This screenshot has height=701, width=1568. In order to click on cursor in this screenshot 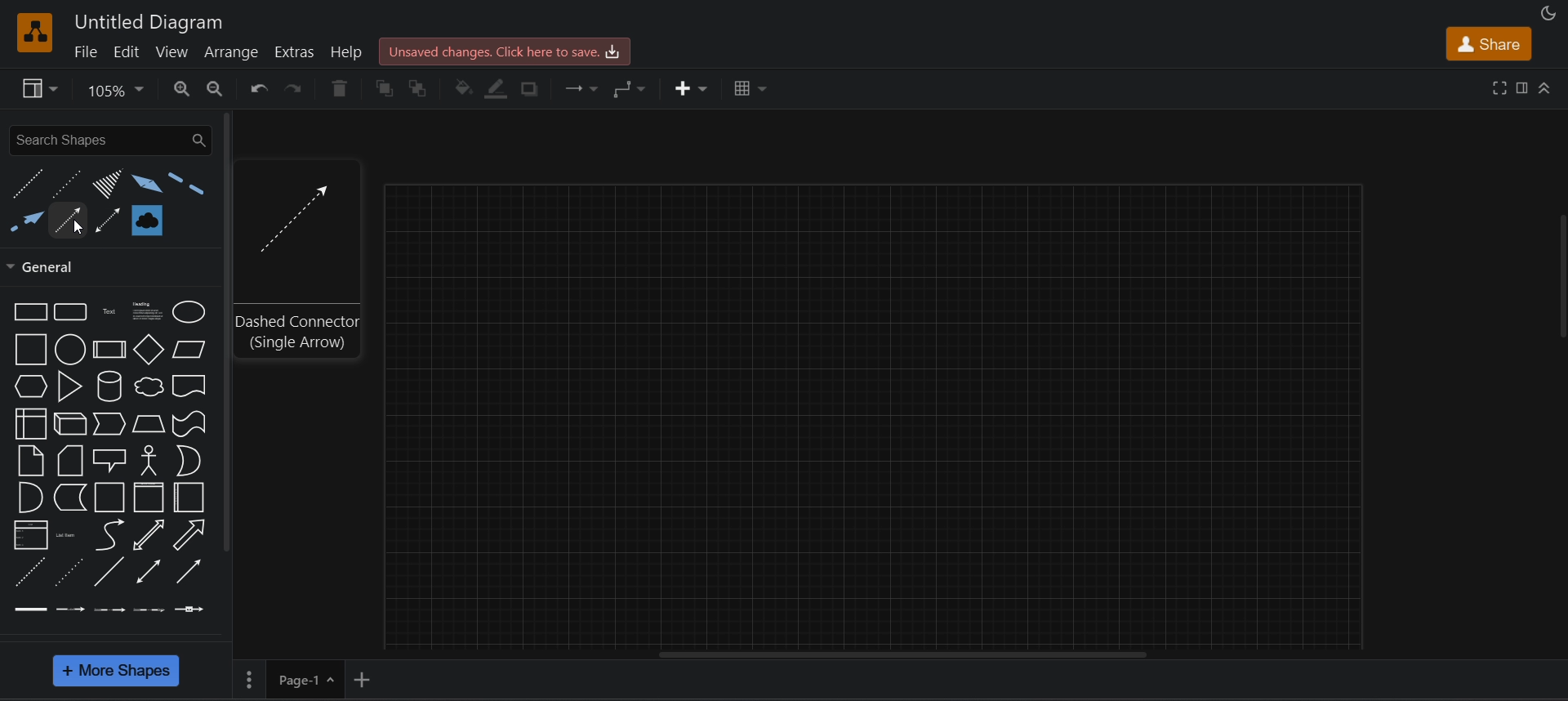, I will do `click(74, 229)`.